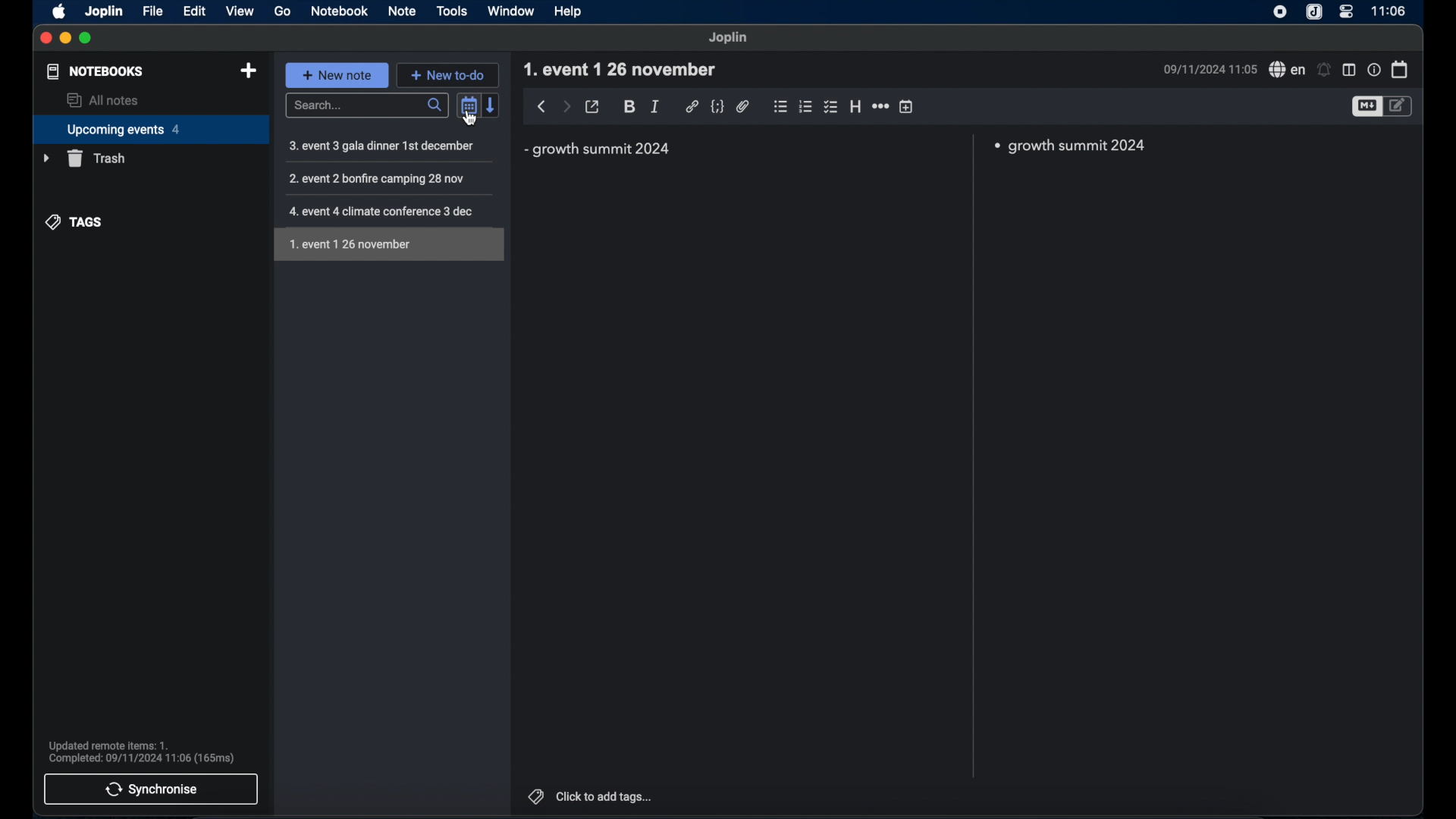  Describe the element at coordinates (597, 149) in the screenshot. I see `growth summit 2024` at that location.